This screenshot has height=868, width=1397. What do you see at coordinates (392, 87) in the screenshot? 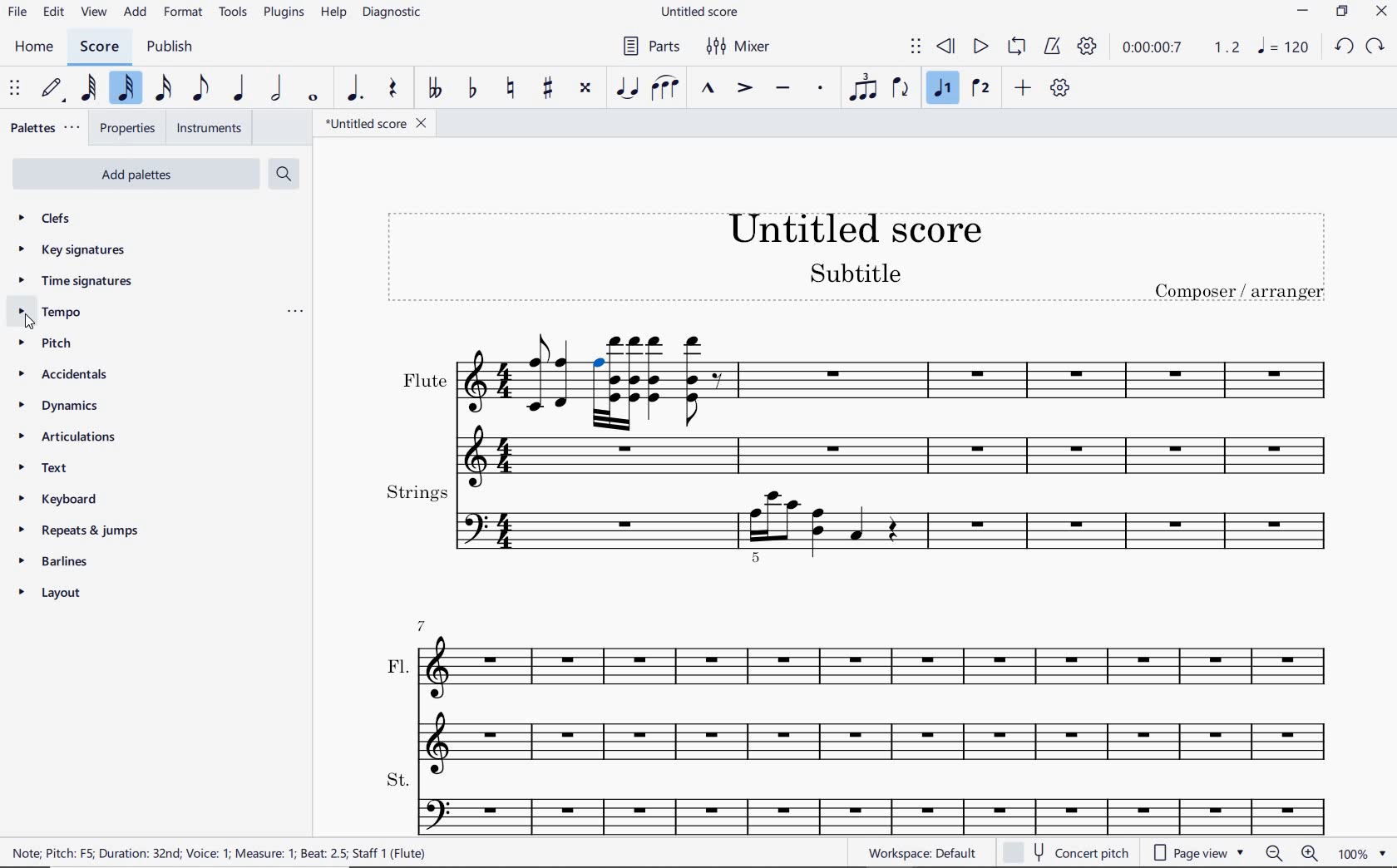
I see `REST` at bounding box center [392, 87].